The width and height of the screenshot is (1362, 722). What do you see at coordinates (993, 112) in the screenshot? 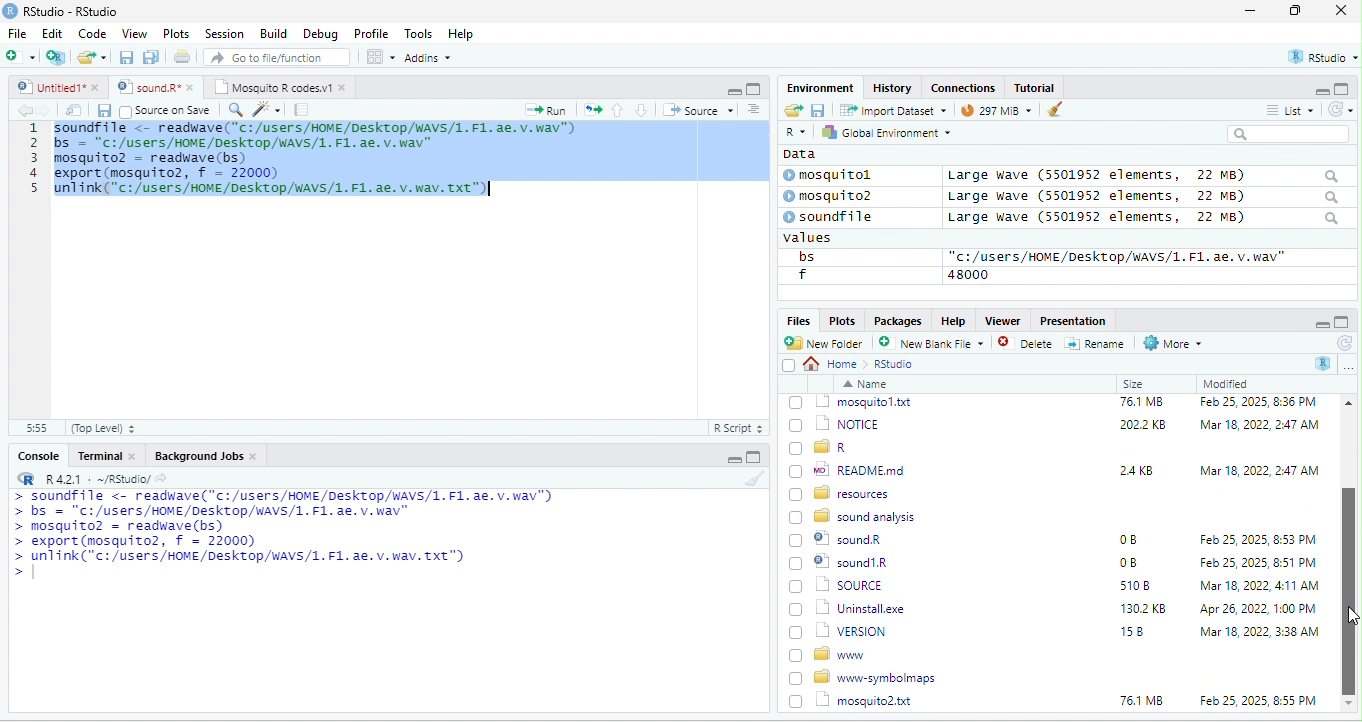
I see `9 mb` at bounding box center [993, 112].